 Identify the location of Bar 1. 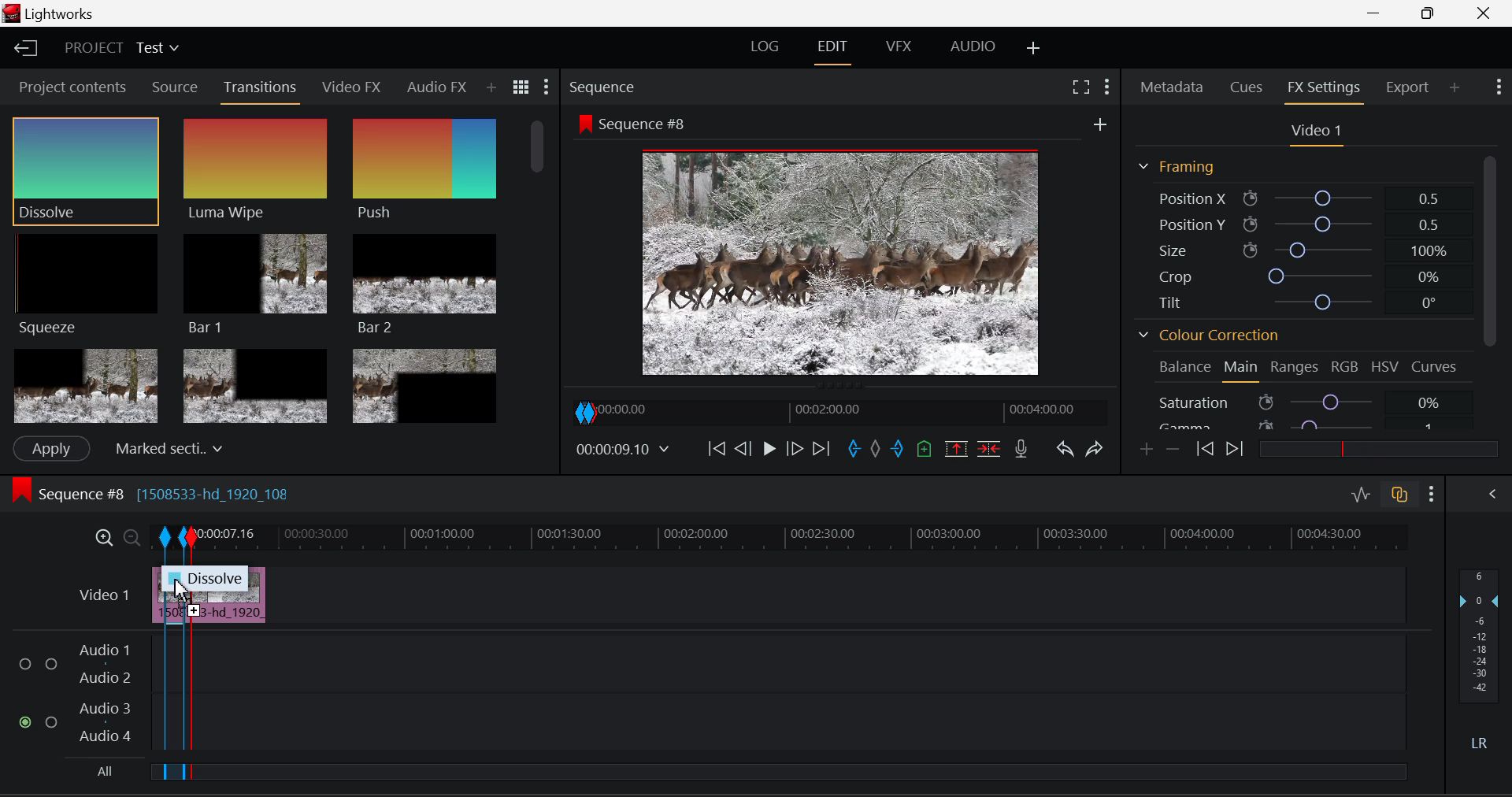
(256, 283).